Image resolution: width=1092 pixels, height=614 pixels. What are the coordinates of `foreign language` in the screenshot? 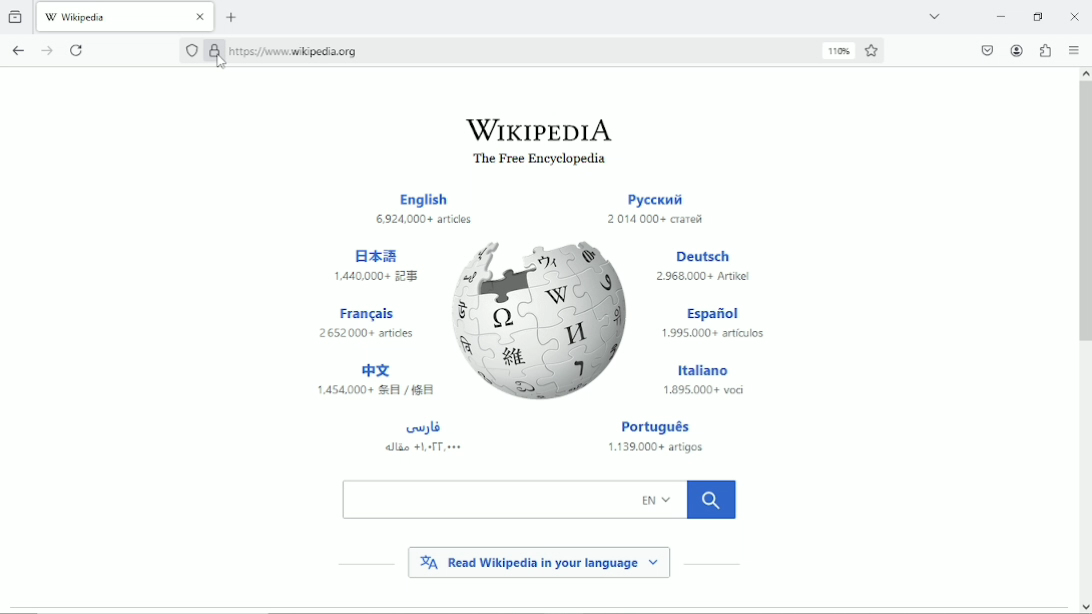 It's located at (423, 436).